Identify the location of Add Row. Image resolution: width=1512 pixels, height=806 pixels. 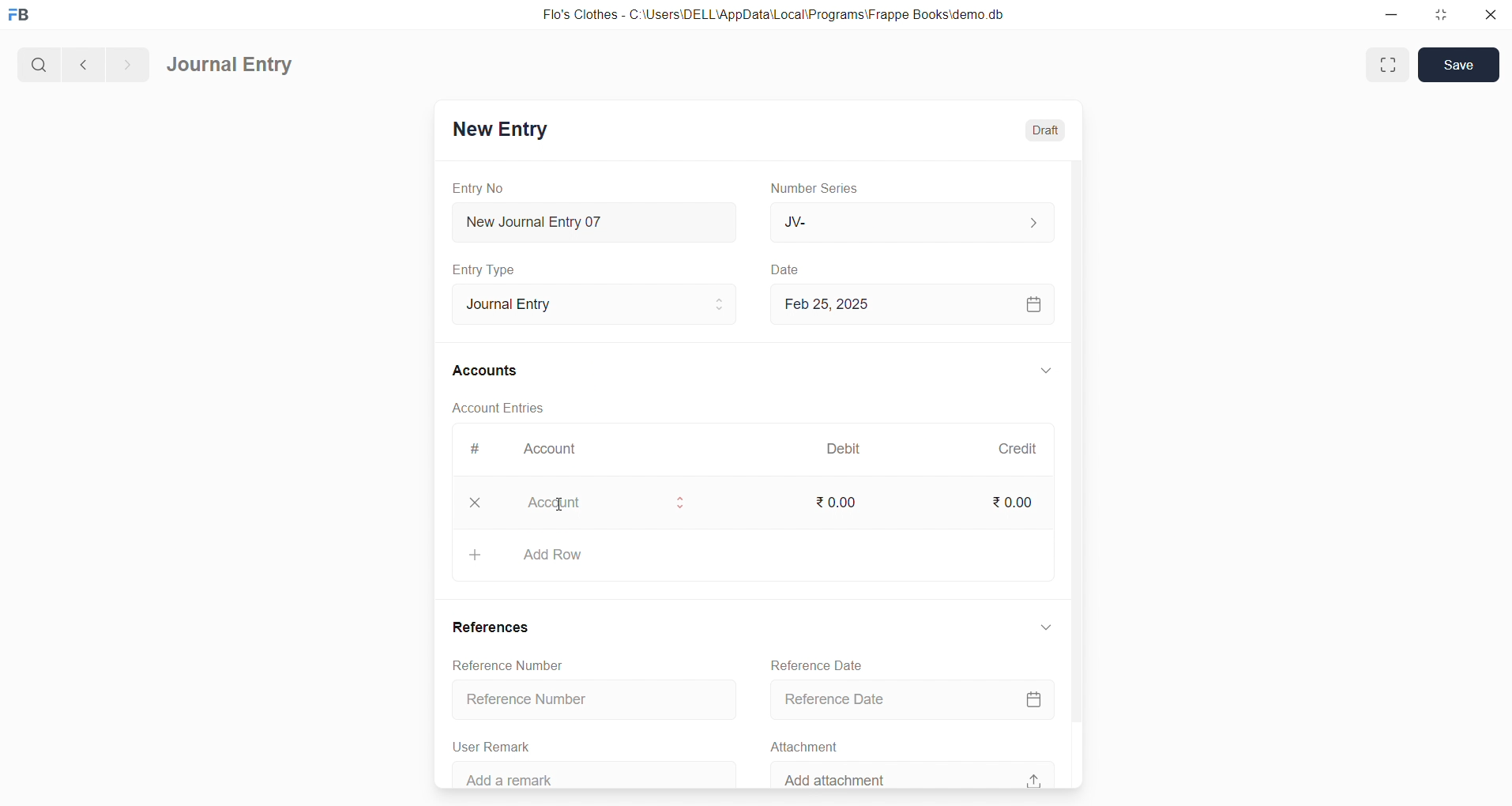
(754, 557).